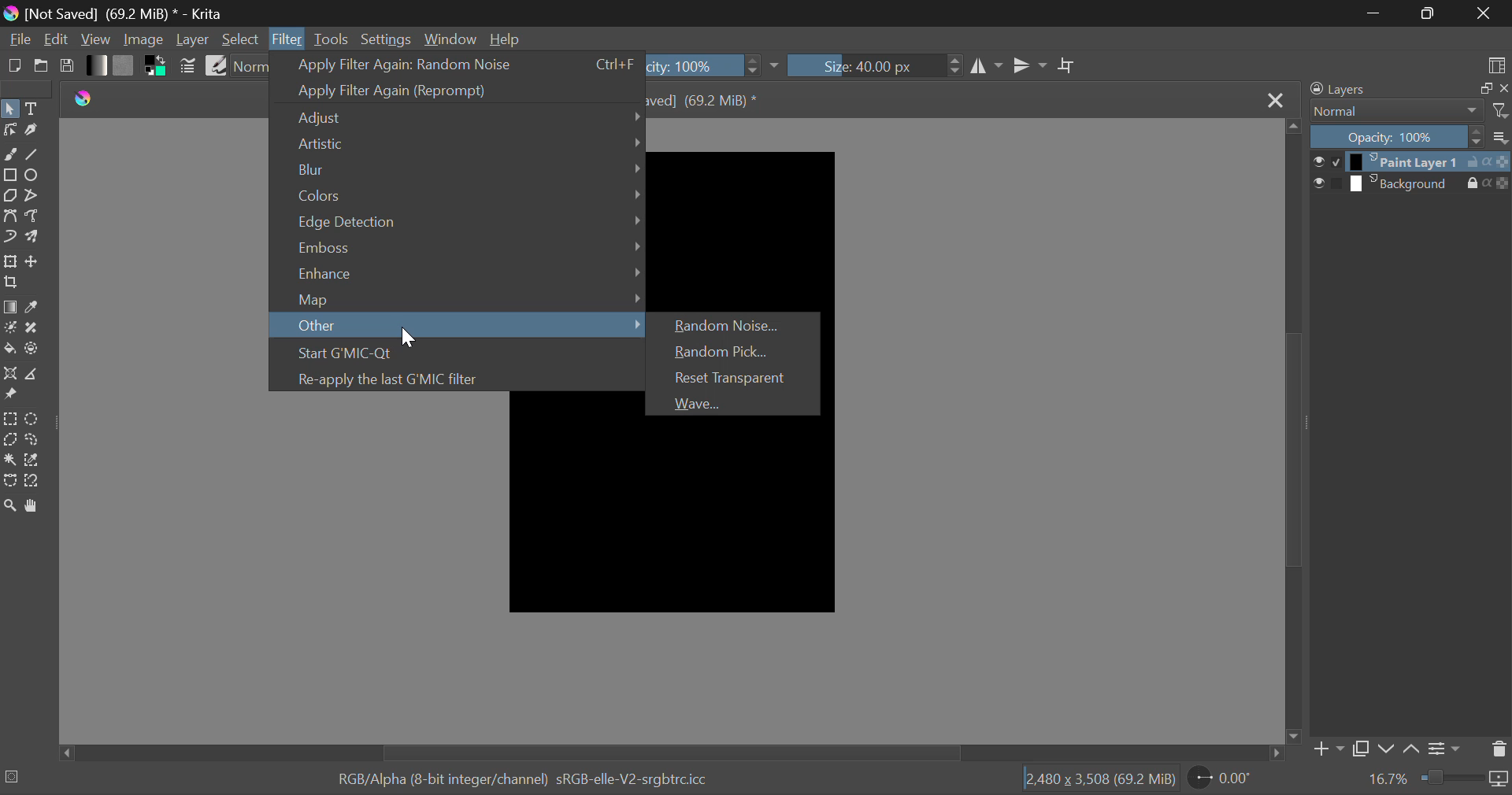 The width and height of the screenshot is (1512, 795). I want to click on Apply Filter Again, so click(459, 92).